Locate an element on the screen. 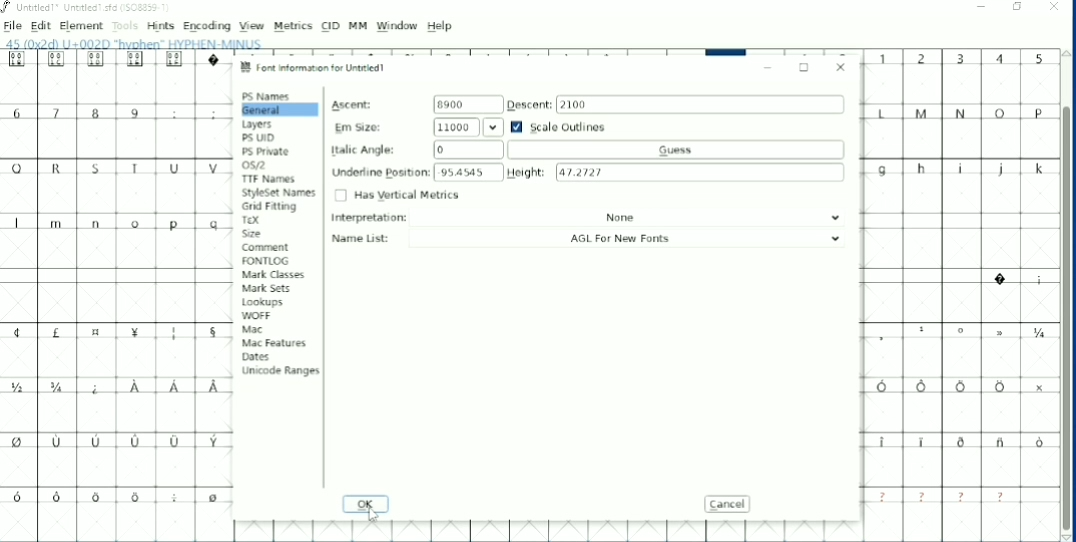 Image resolution: width=1076 pixels, height=542 pixels. Unicode Ranges is located at coordinates (280, 370).